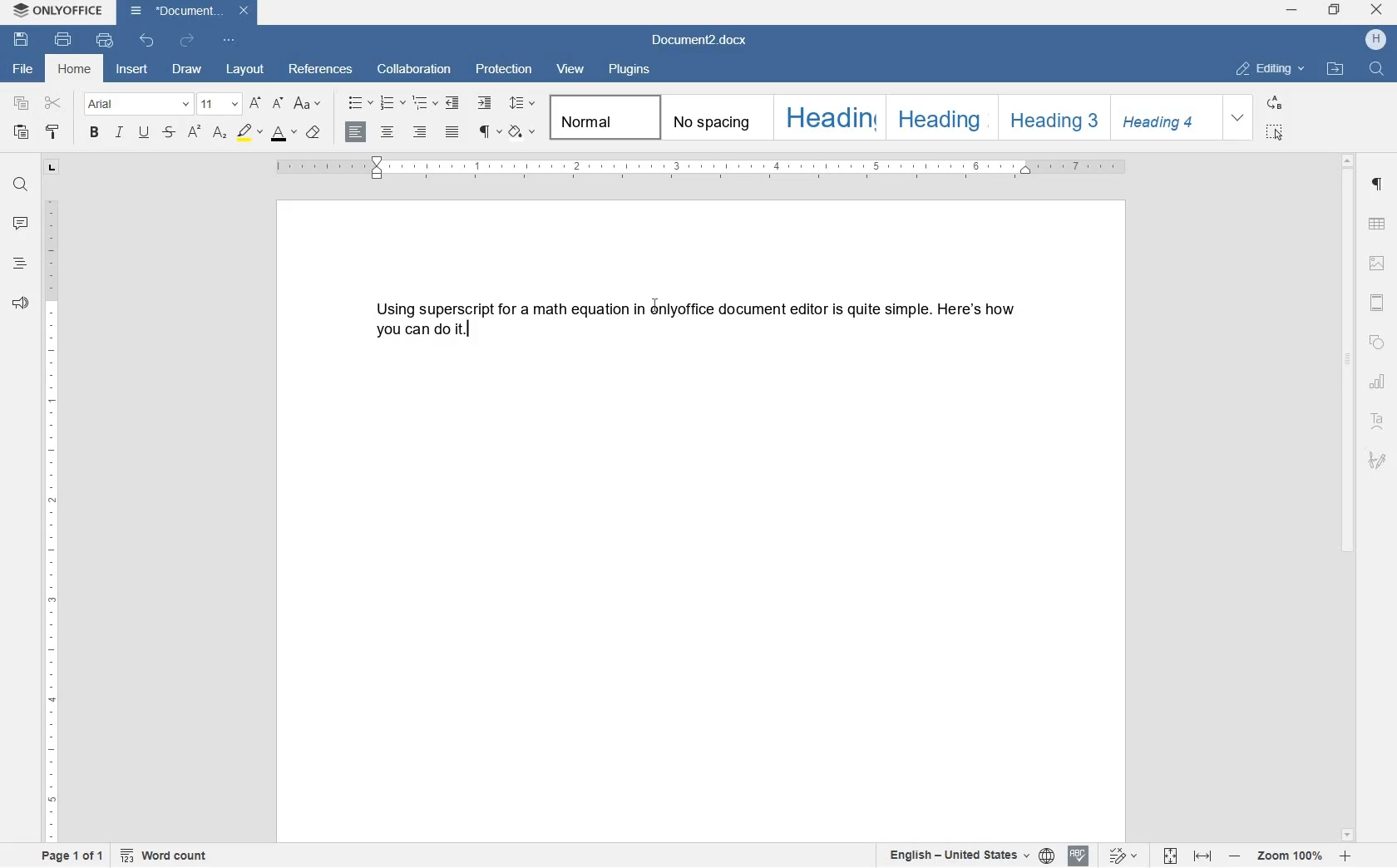  What do you see at coordinates (521, 133) in the screenshot?
I see `shading` at bounding box center [521, 133].